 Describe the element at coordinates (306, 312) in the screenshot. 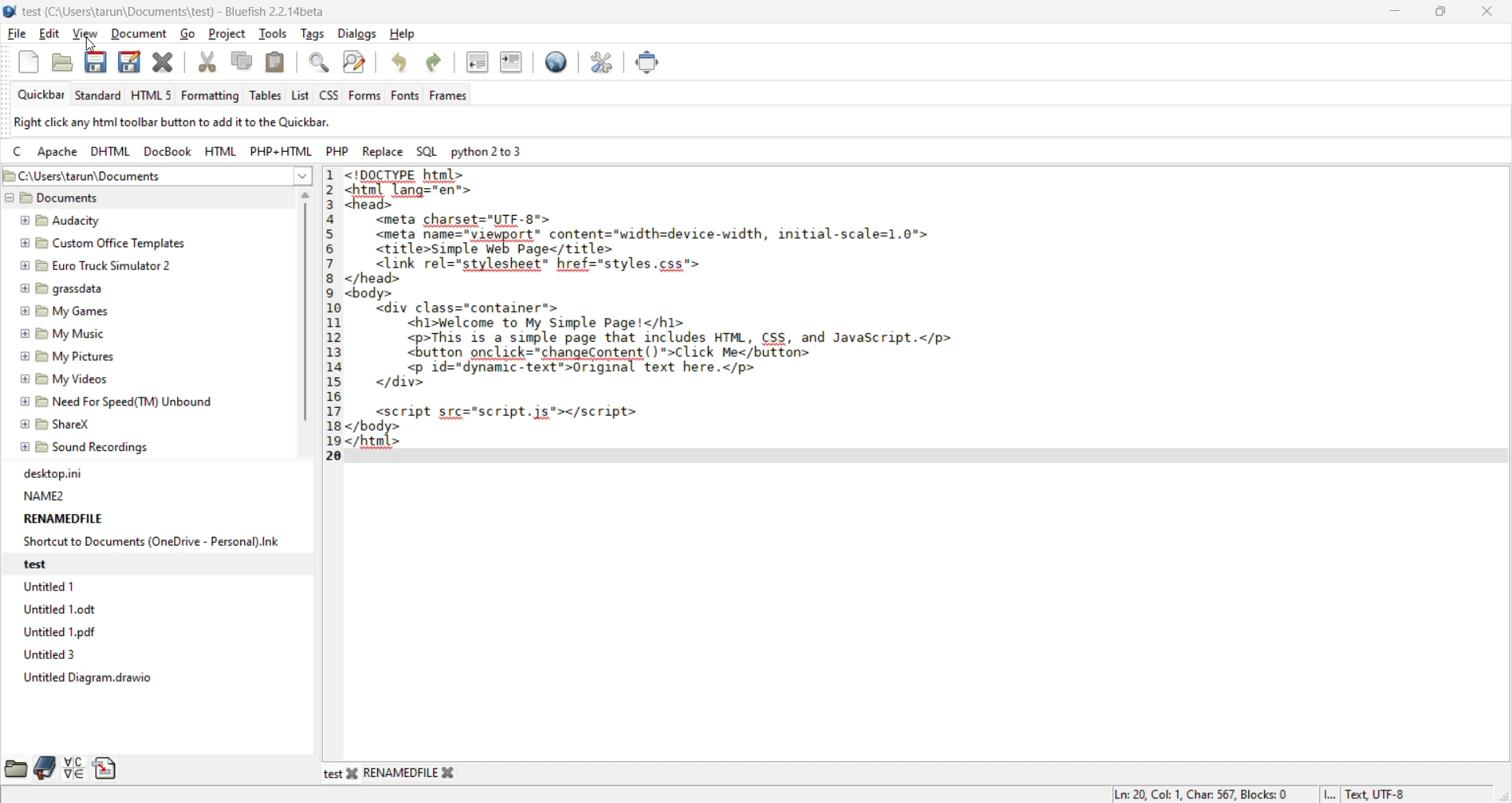

I see `vertical scroll bar` at that location.